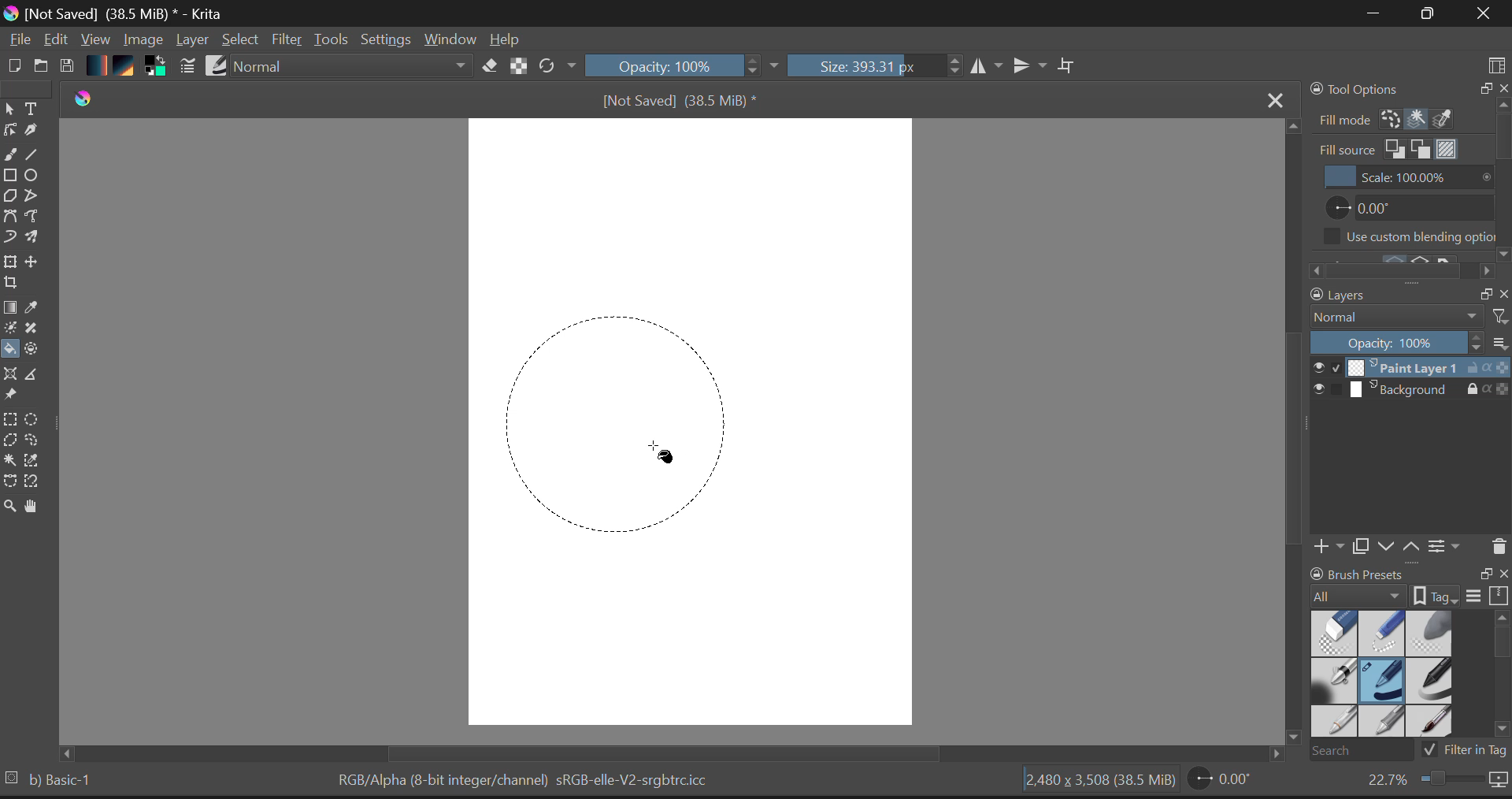 The height and width of the screenshot is (799, 1512). I want to click on Reference Images, so click(13, 396).